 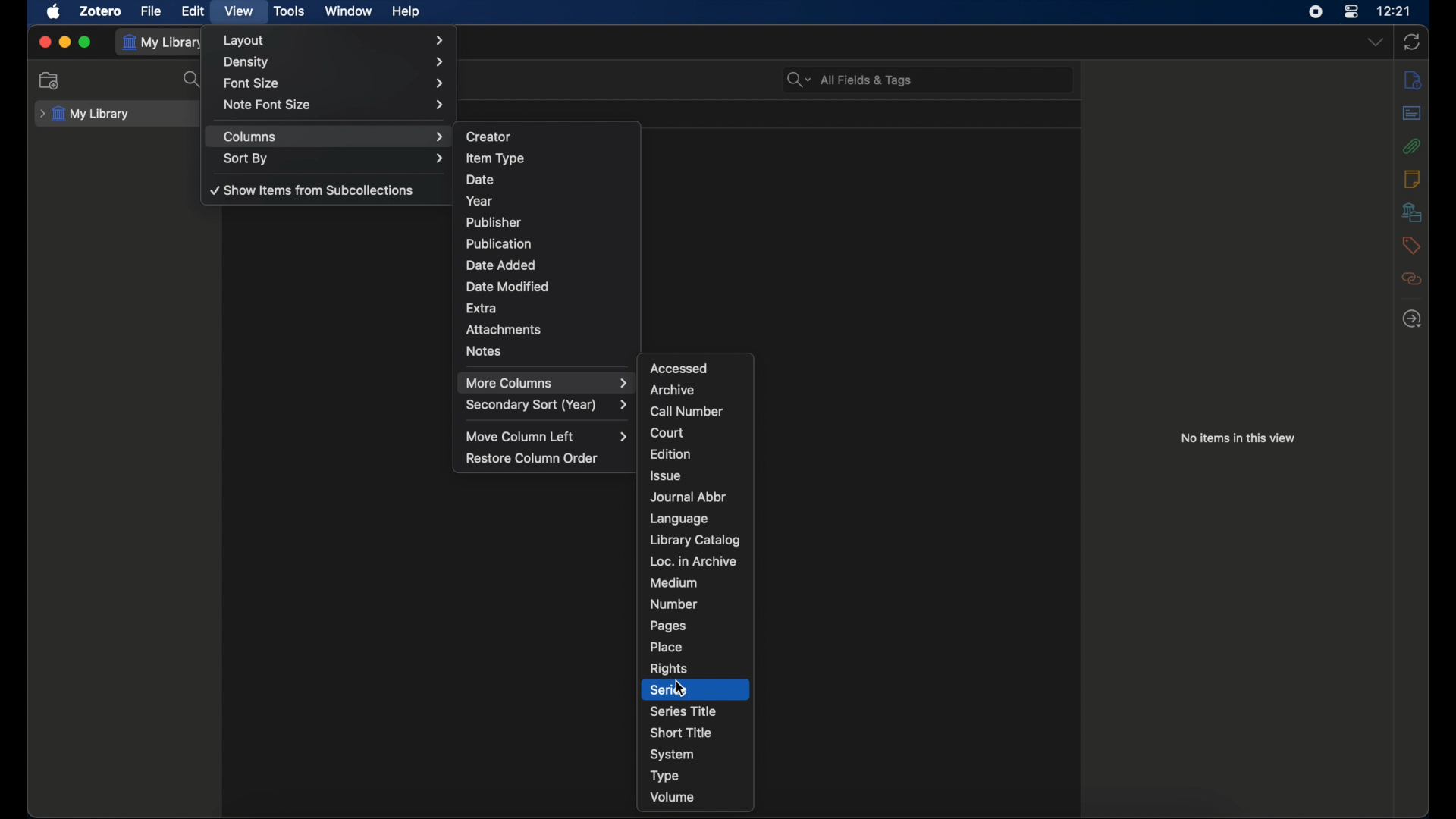 What do you see at coordinates (1412, 279) in the screenshot?
I see `attachments` at bounding box center [1412, 279].